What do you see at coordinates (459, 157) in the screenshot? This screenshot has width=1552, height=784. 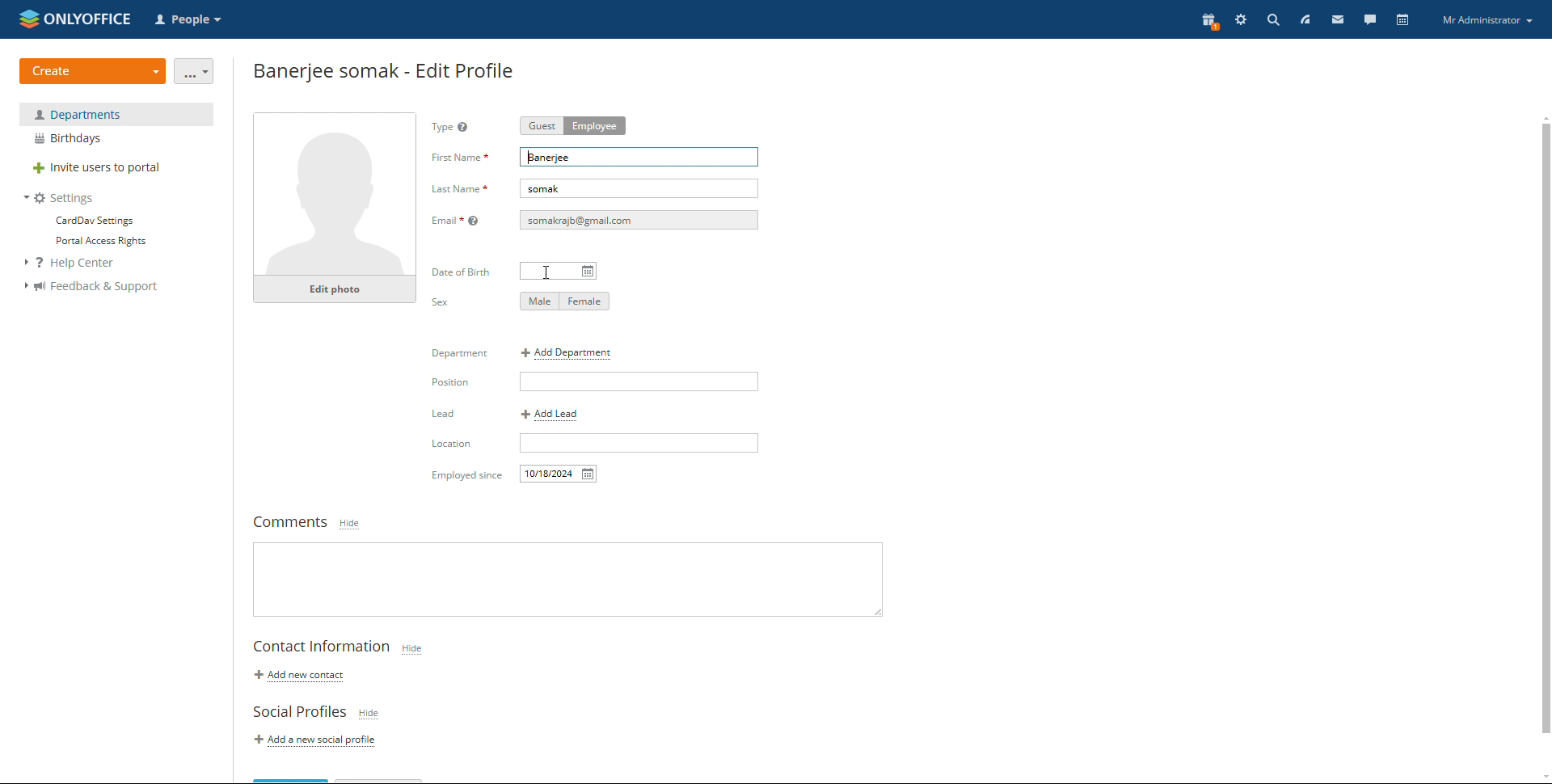 I see `first name` at bounding box center [459, 157].